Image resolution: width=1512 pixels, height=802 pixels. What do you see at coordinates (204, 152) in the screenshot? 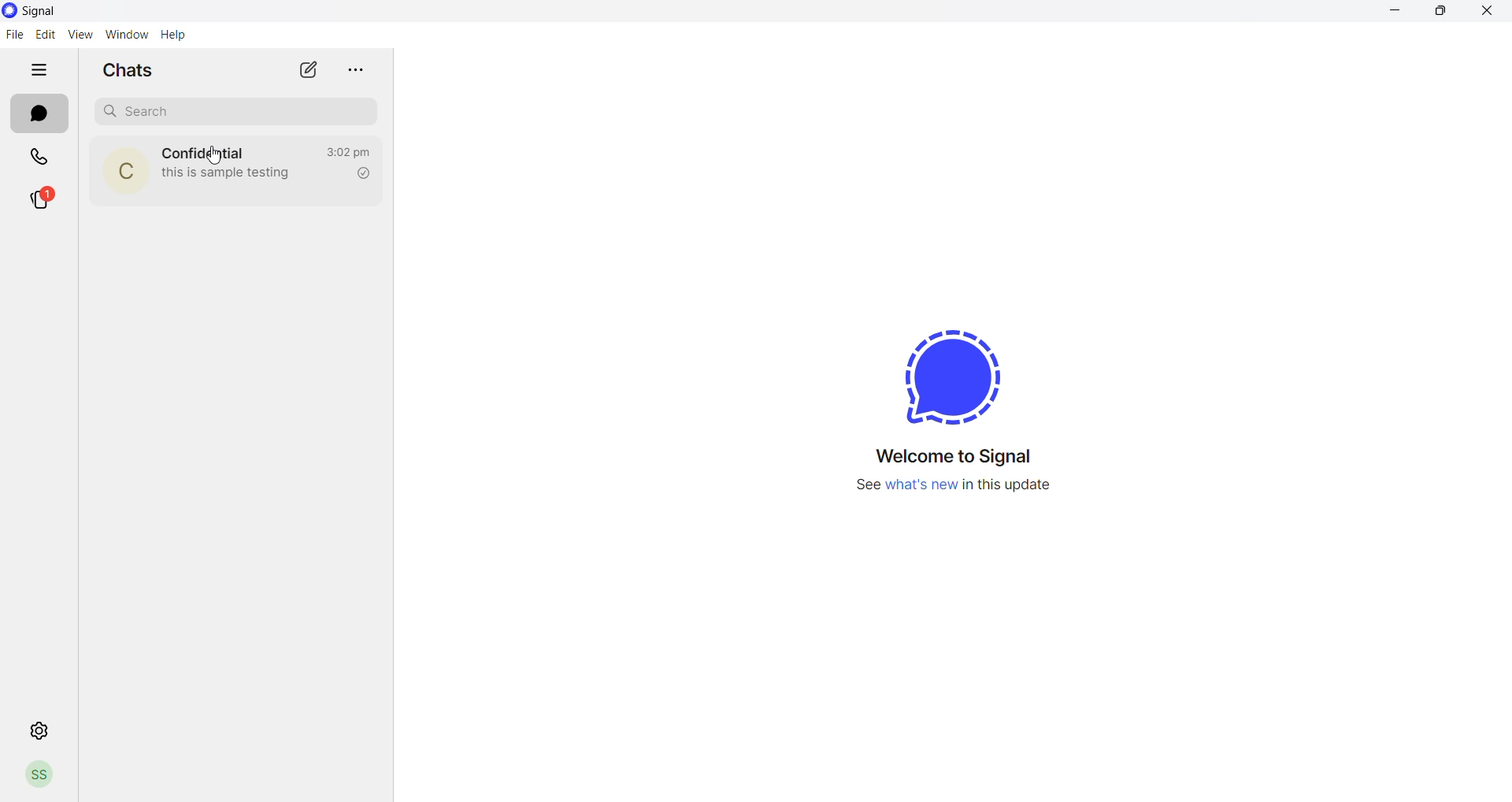
I see `contact name` at bounding box center [204, 152].